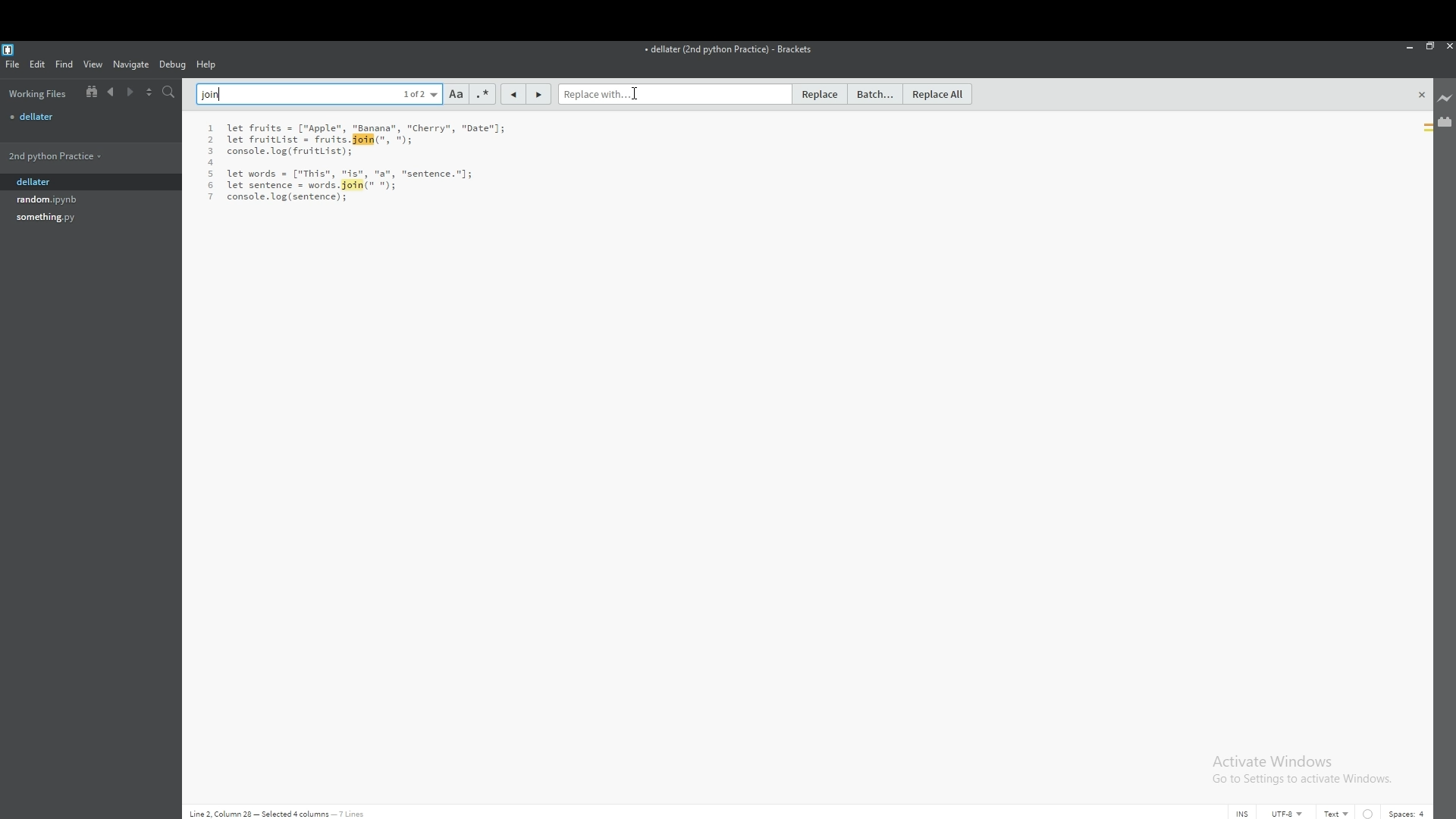  What do you see at coordinates (537, 94) in the screenshot?
I see `next match` at bounding box center [537, 94].